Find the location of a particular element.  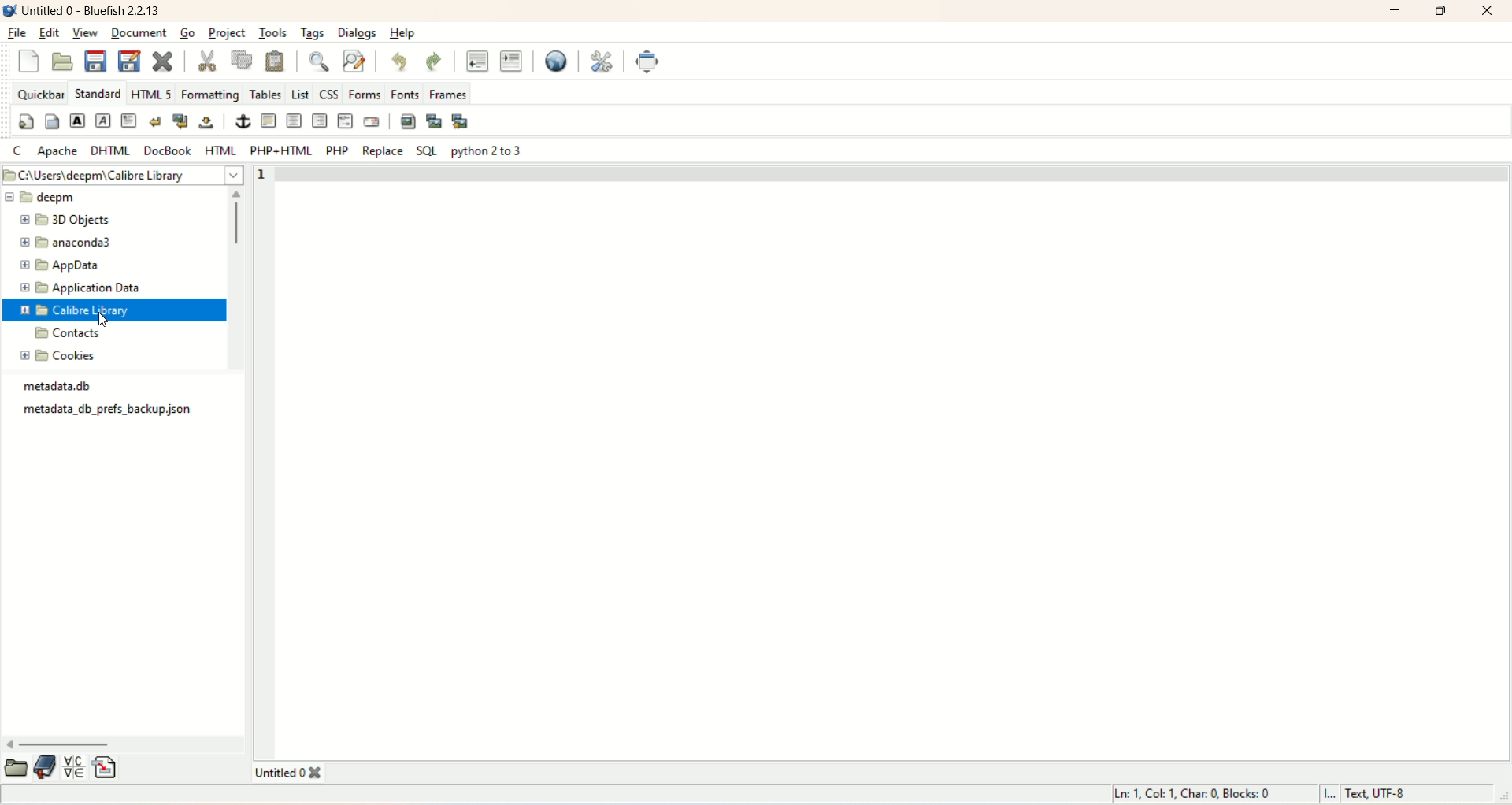

paste is located at coordinates (276, 62).